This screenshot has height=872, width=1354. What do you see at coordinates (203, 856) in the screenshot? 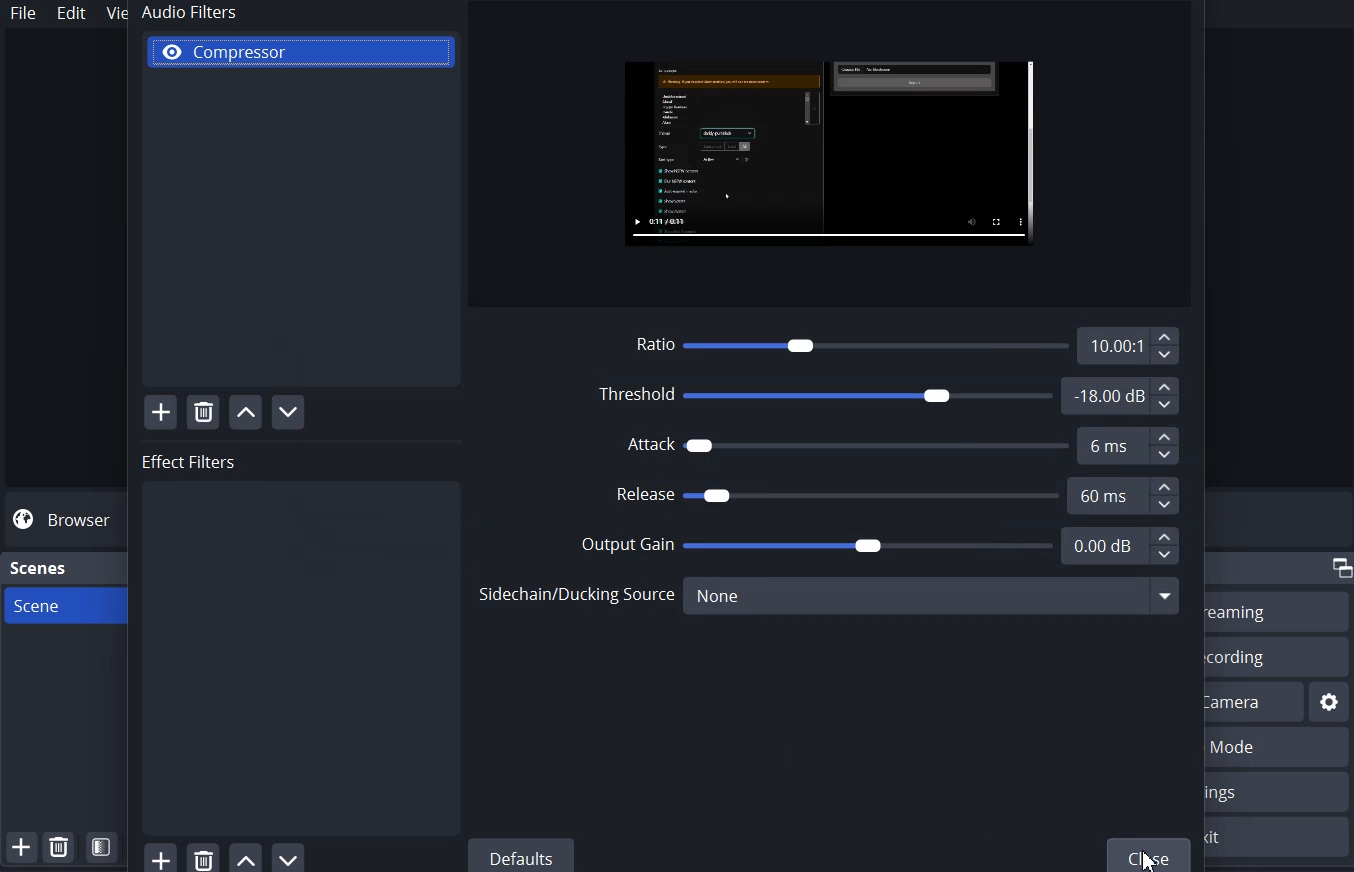
I see `Remove Filter` at bounding box center [203, 856].